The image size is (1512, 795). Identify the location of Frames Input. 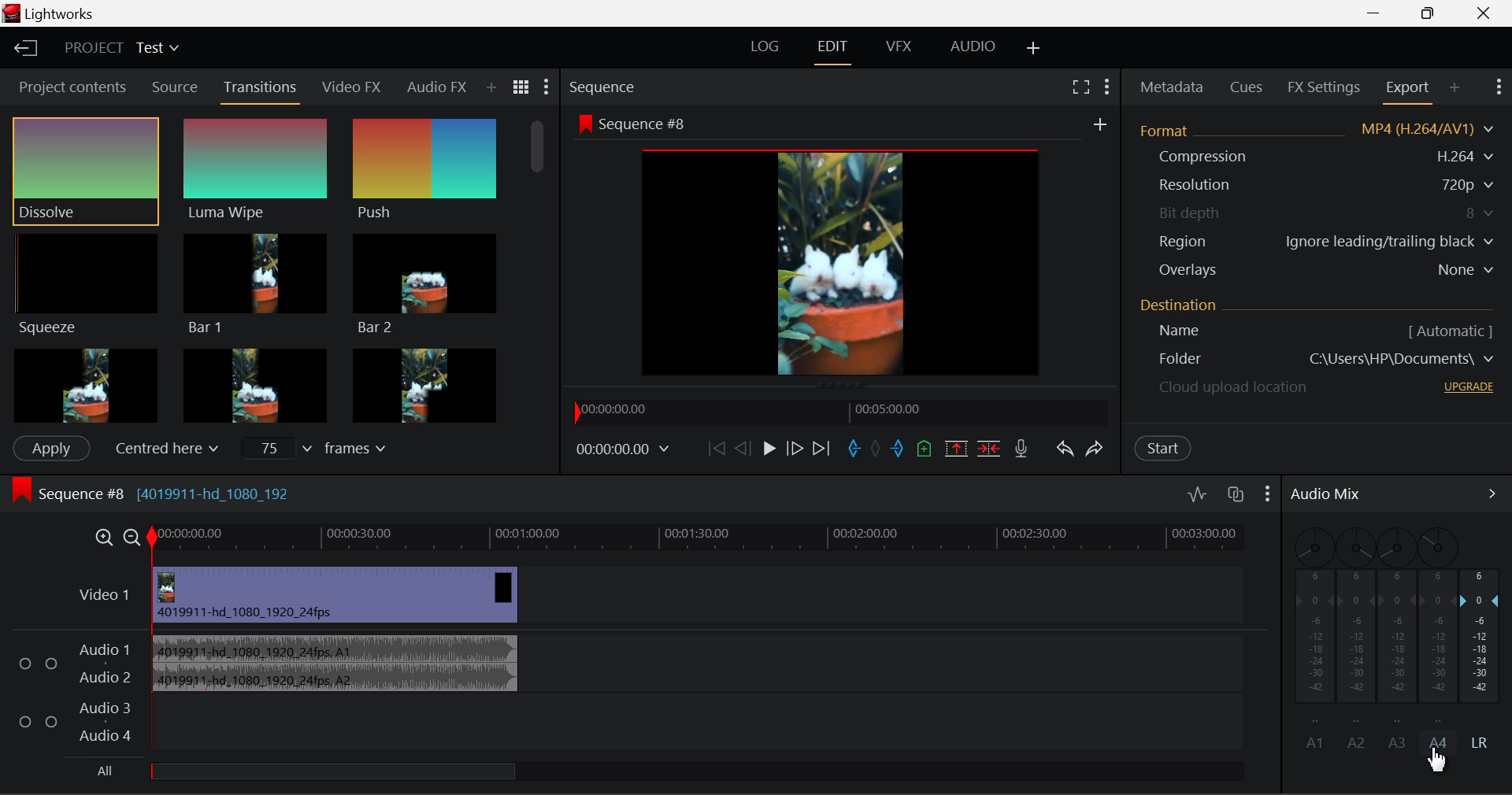
(324, 447).